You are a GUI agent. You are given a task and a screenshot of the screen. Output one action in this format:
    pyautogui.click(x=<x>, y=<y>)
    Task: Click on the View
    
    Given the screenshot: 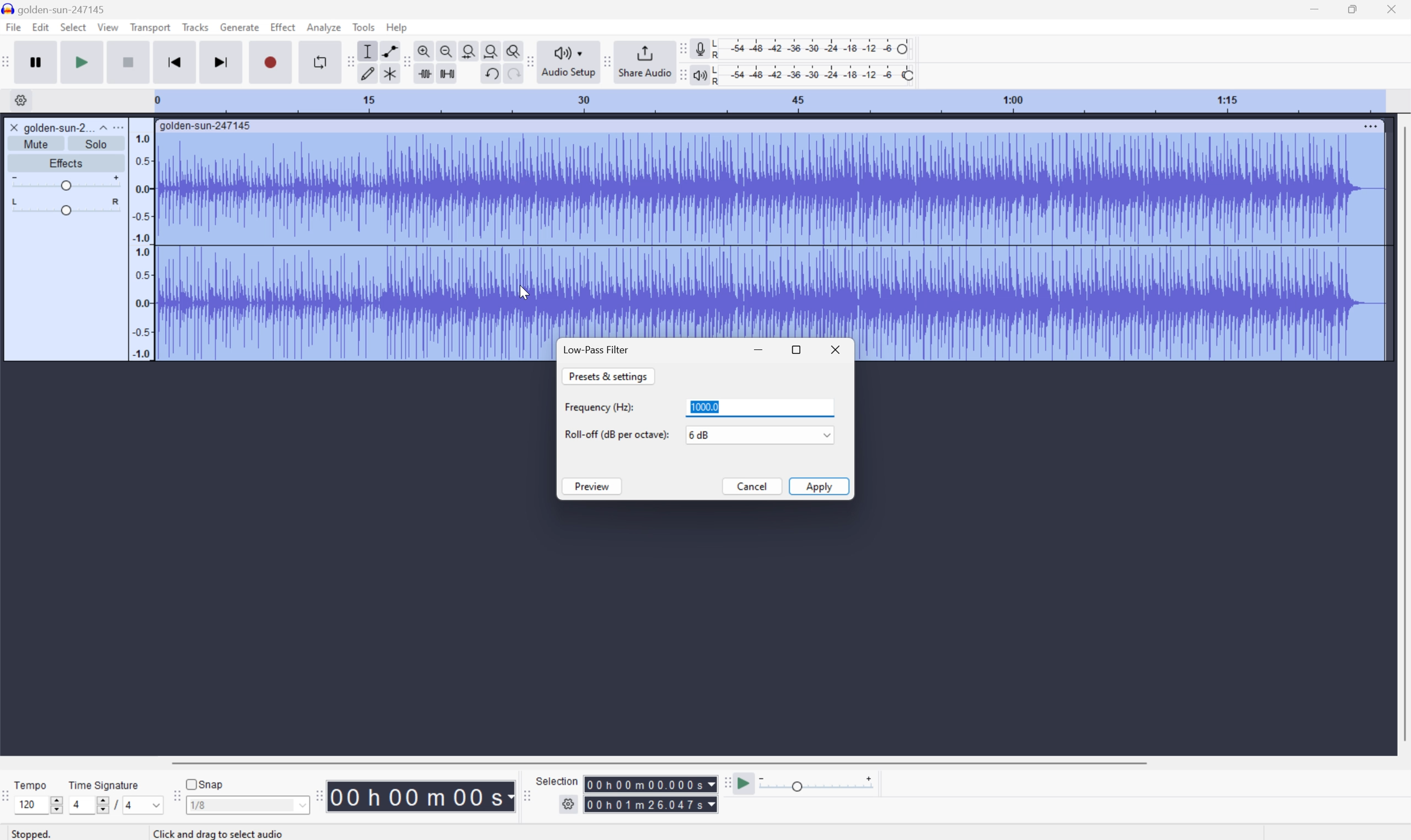 What is the action you would take?
    pyautogui.click(x=109, y=27)
    